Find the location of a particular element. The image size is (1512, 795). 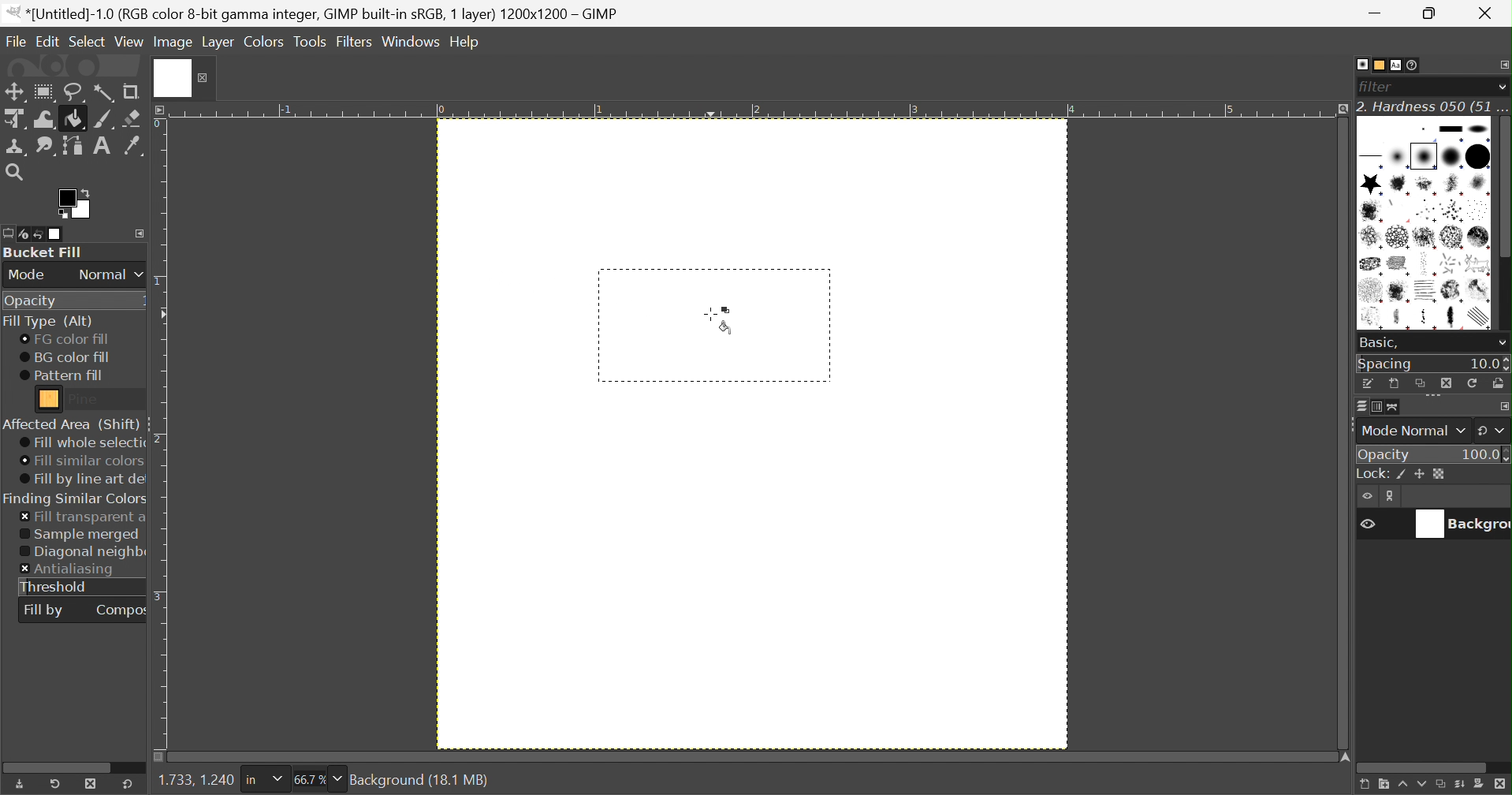

Options is located at coordinates (1435, 398).